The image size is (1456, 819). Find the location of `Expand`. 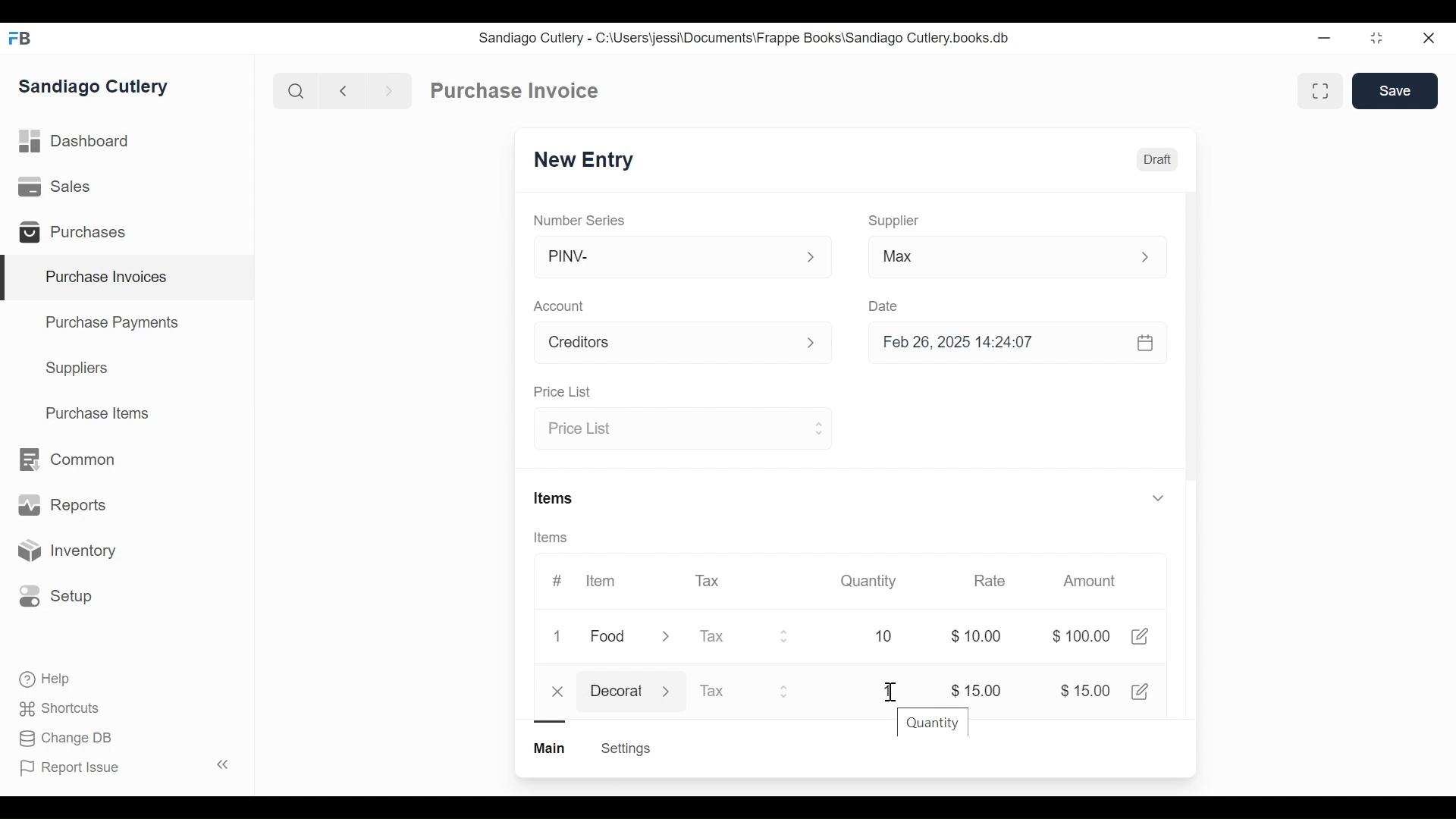

Expand is located at coordinates (787, 691).